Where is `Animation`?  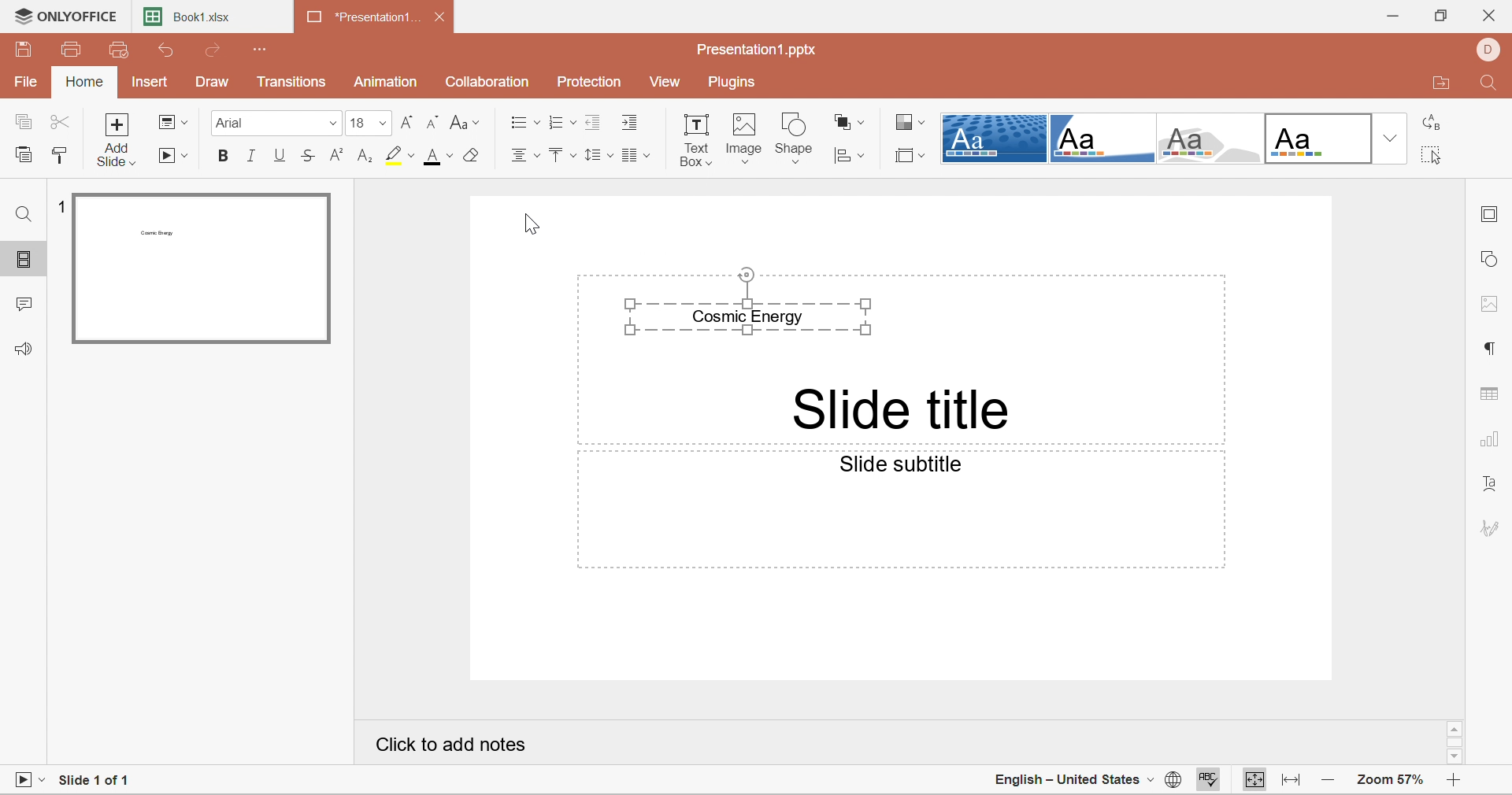
Animation is located at coordinates (385, 82).